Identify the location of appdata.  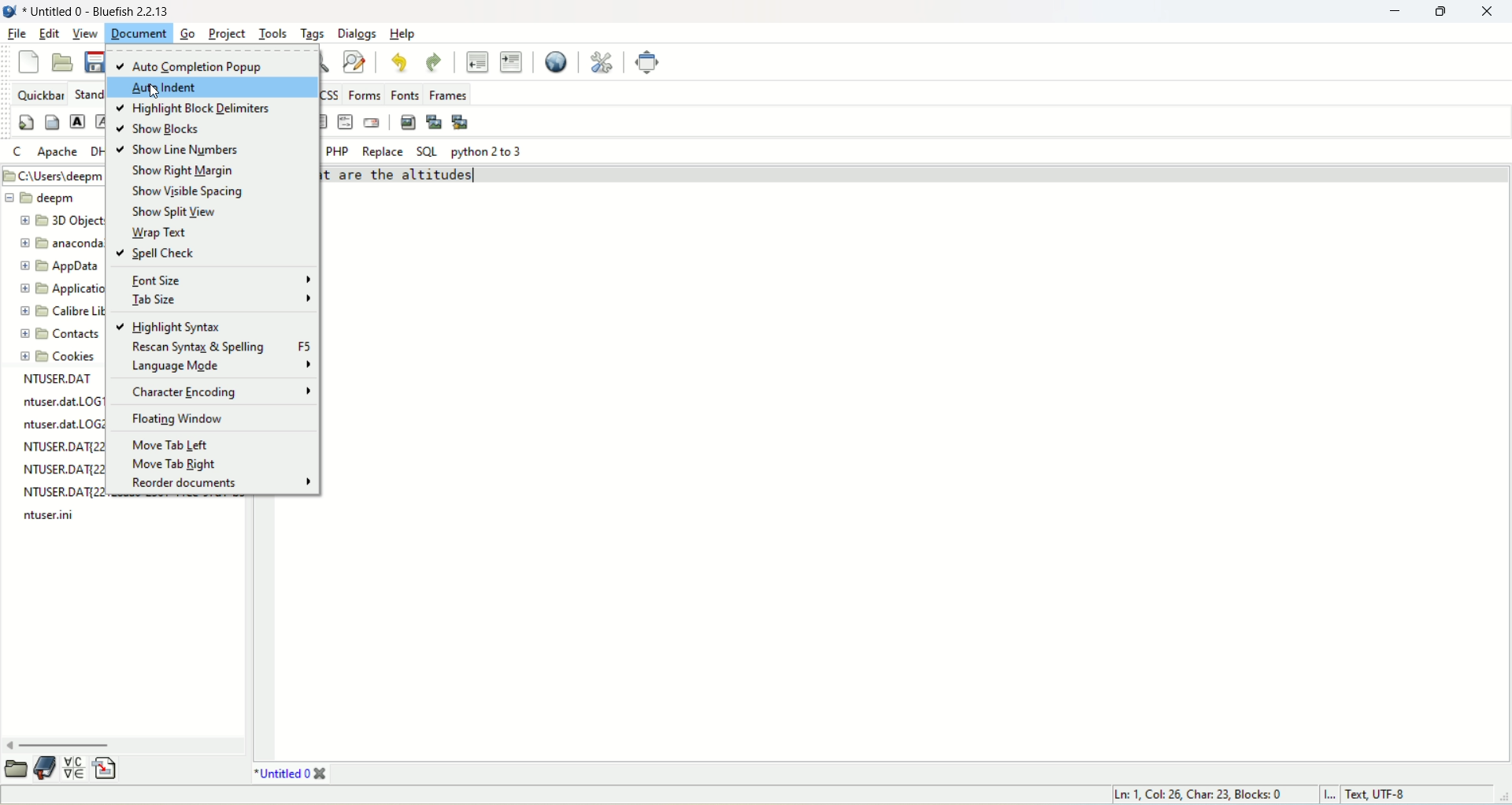
(57, 270).